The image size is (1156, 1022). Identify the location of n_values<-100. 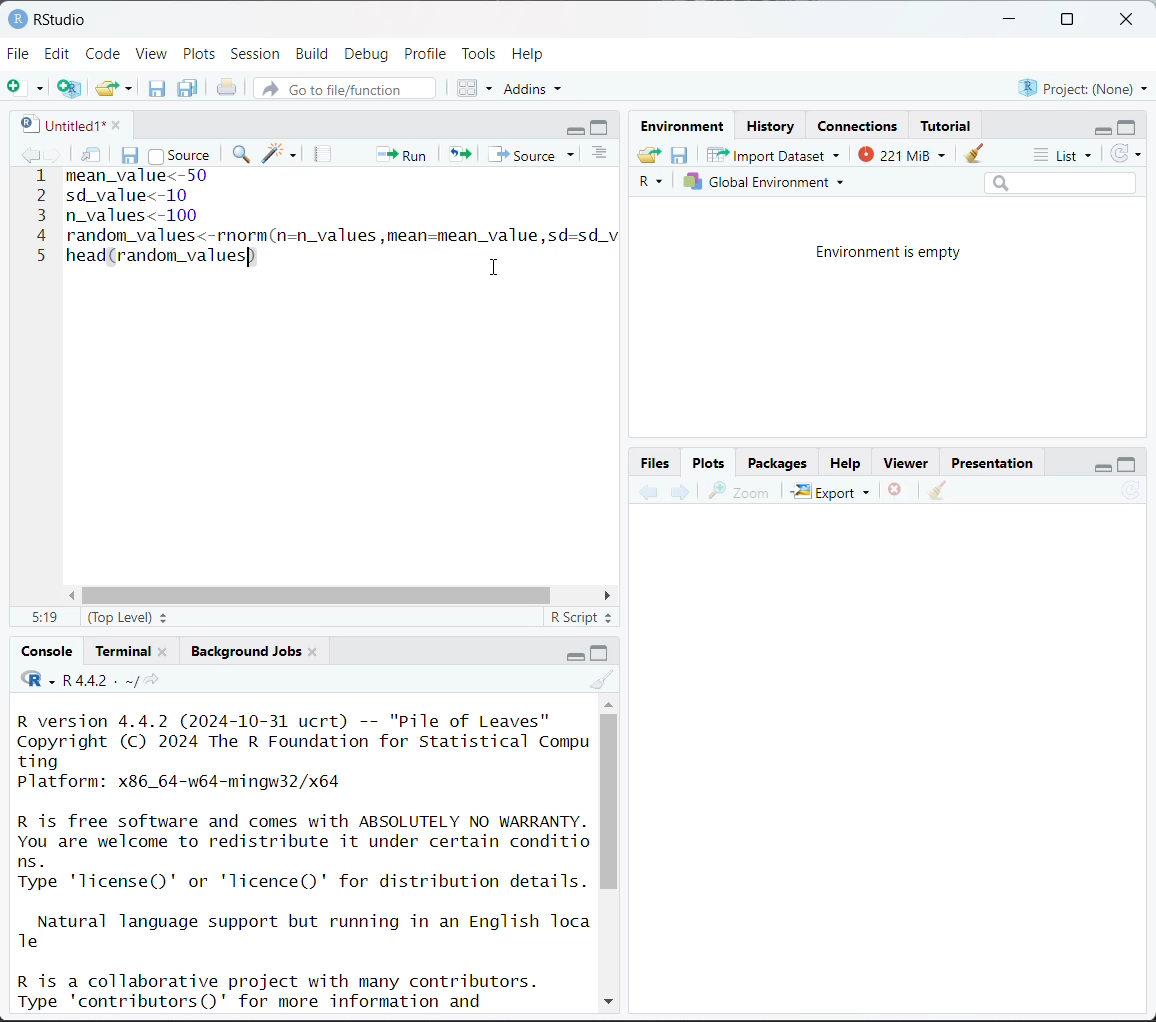
(134, 215).